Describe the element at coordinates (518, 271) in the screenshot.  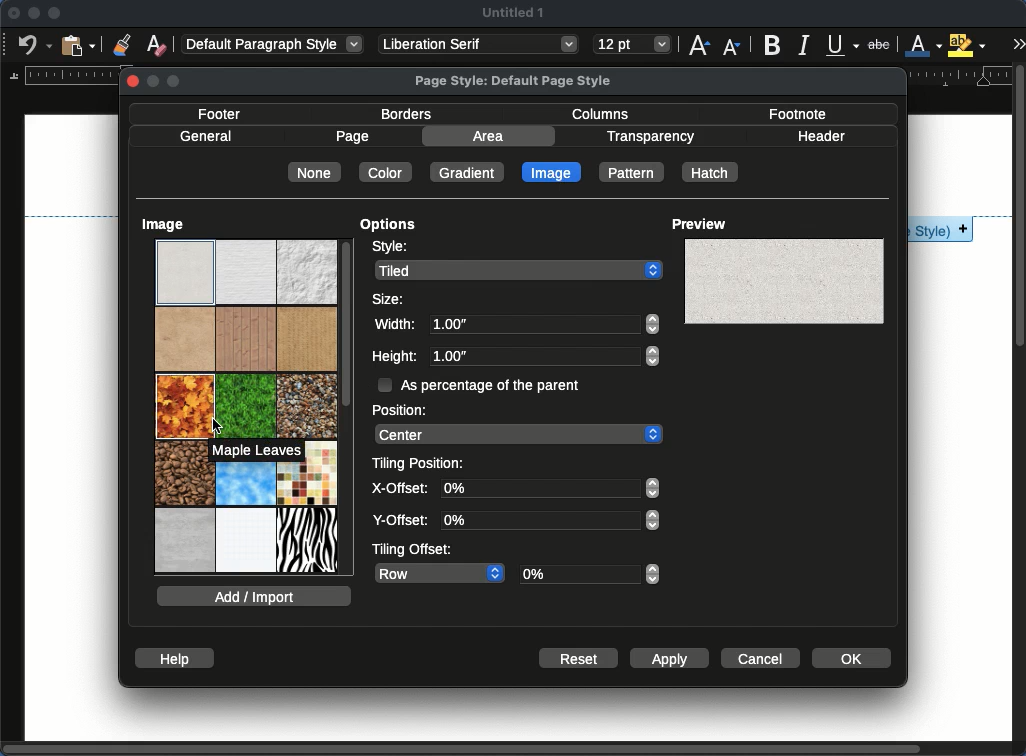
I see `tiled` at that location.